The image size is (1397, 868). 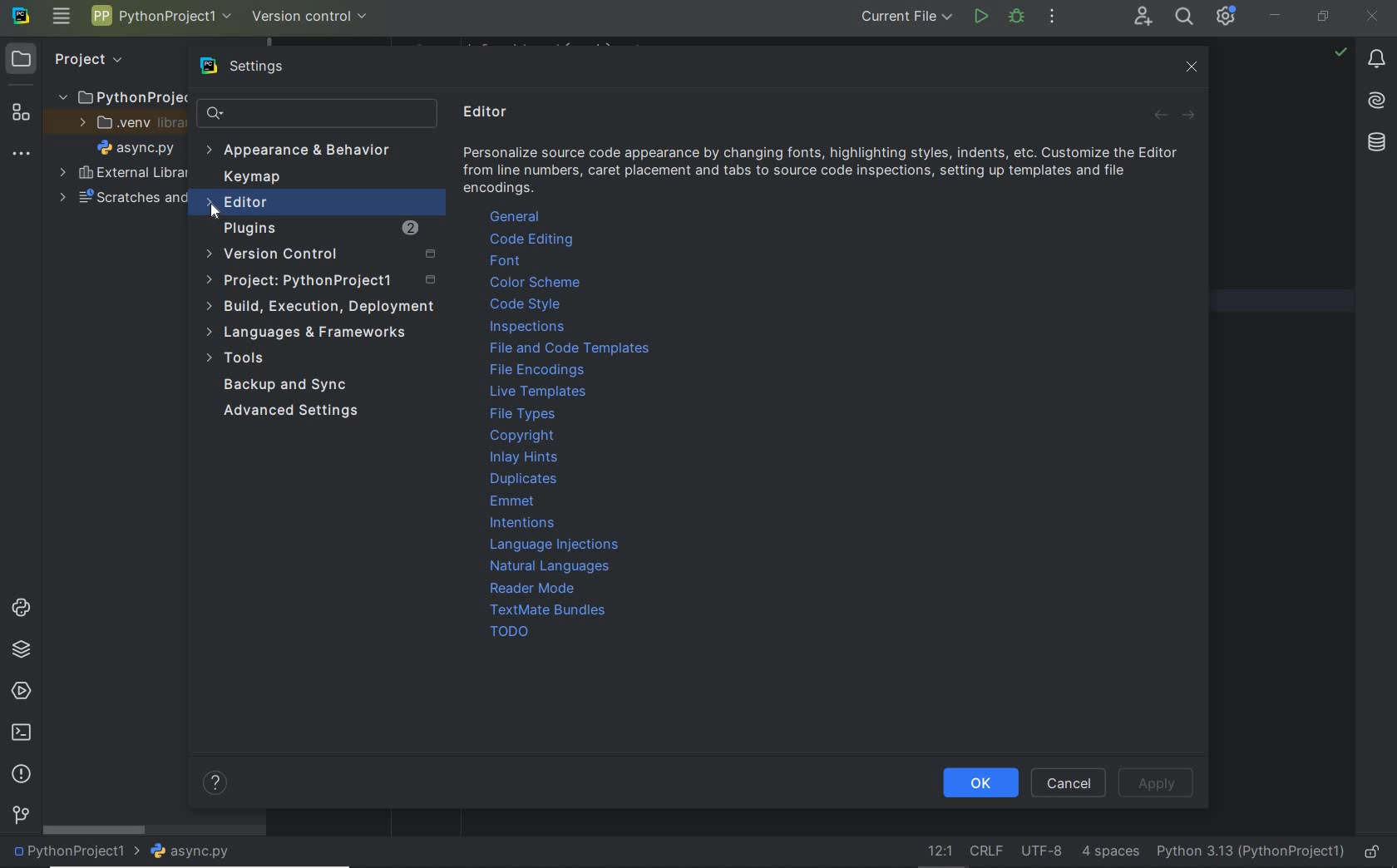 What do you see at coordinates (531, 523) in the screenshot?
I see `intentions` at bounding box center [531, 523].